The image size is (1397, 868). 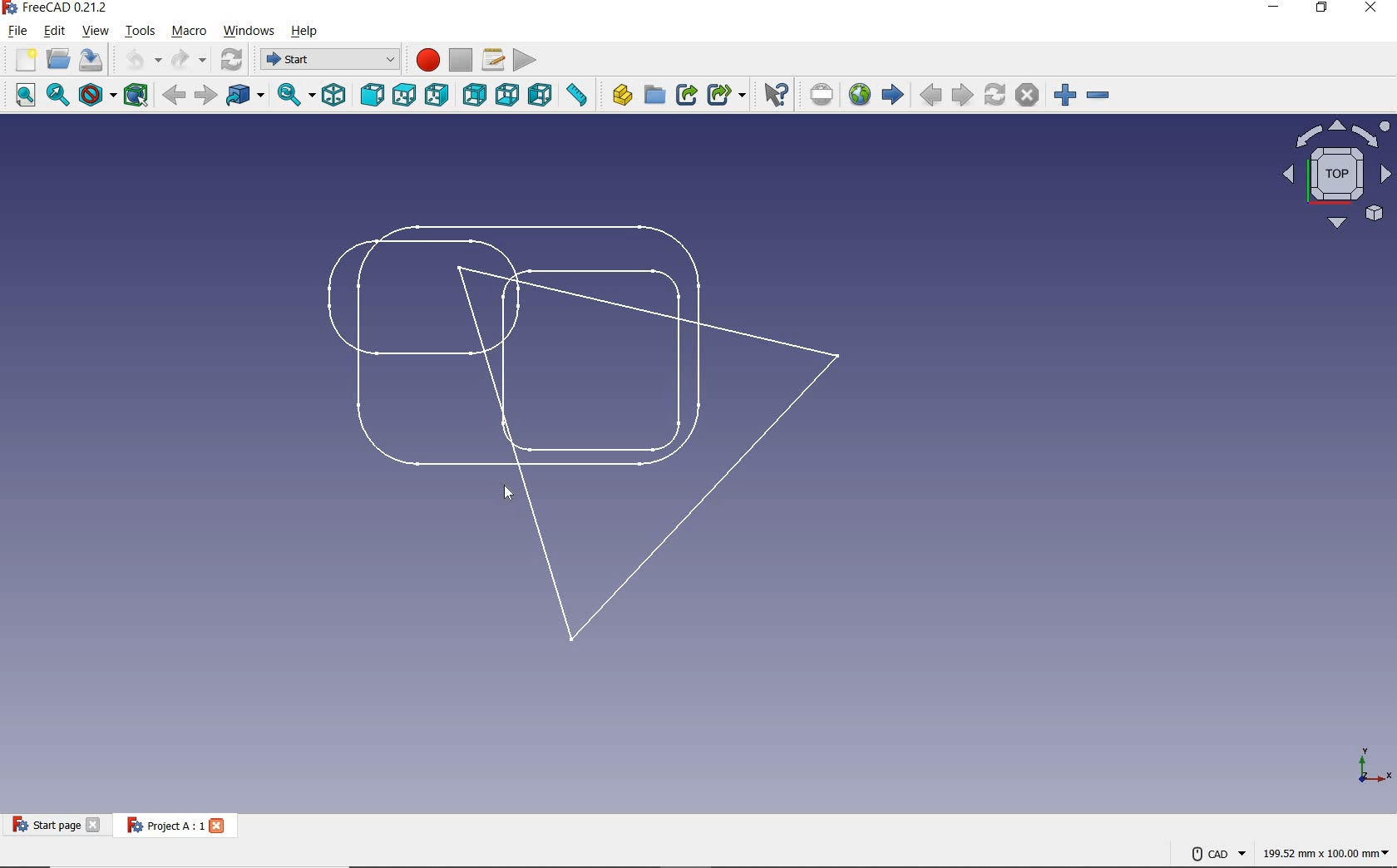 What do you see at coordinates (335, 94) in the screenshot?
I see `ISOMETRIC` at bounding box center [335, 94].